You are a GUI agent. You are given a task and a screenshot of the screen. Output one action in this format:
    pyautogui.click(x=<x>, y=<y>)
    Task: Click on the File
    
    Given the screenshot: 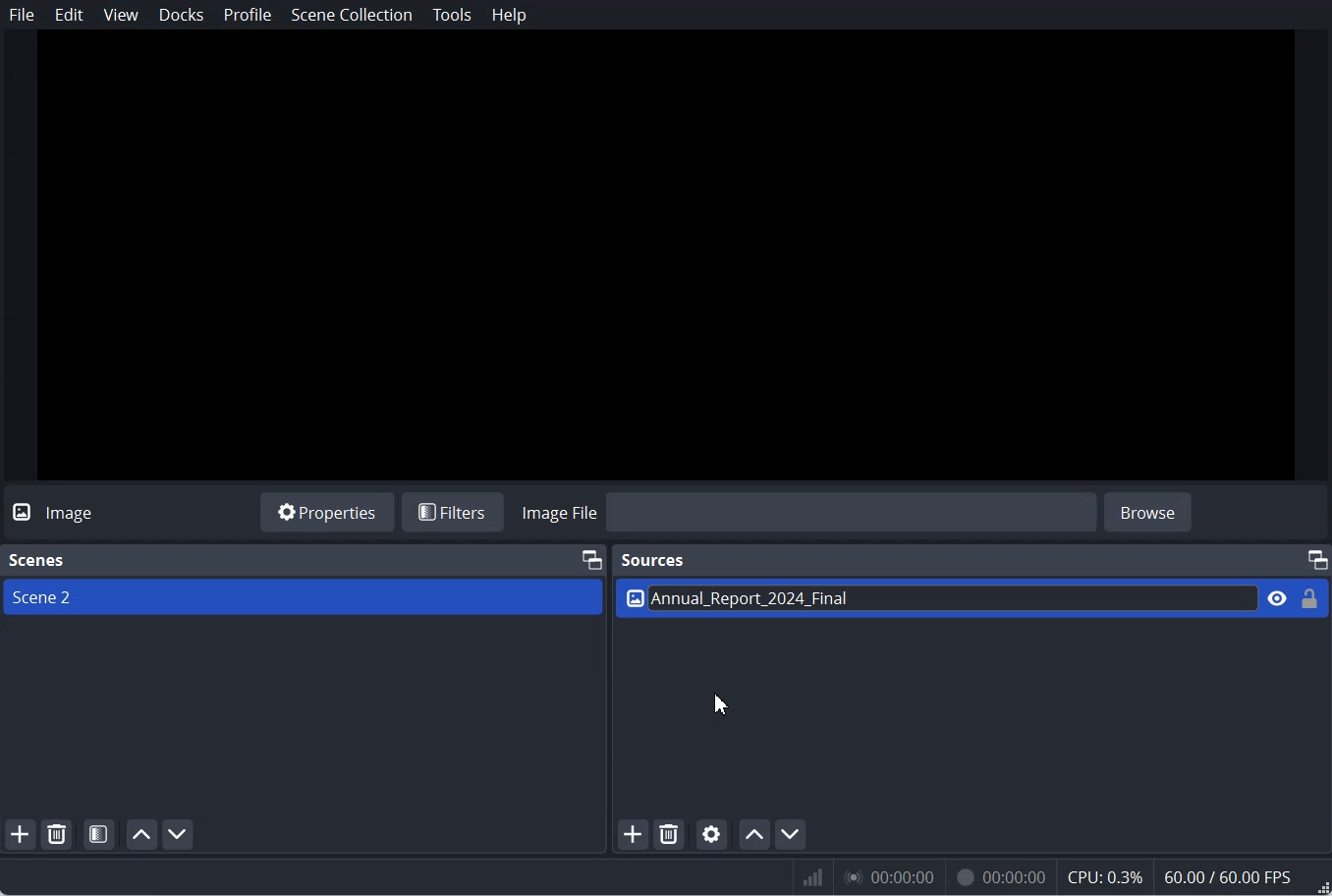 What is the action you would take?
    pyautogui.click(x=22, y=15)
    